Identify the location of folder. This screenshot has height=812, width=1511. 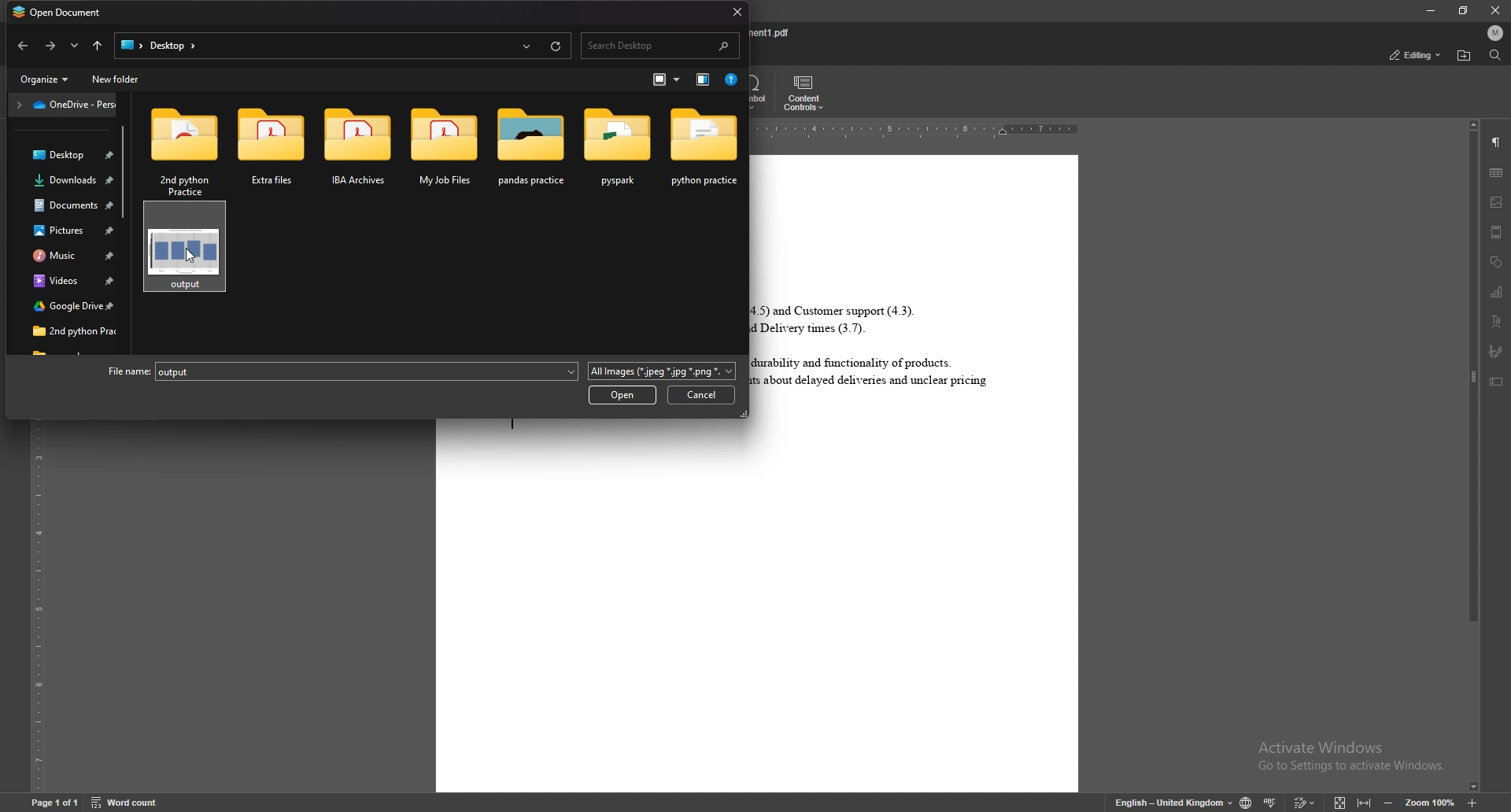
(63, 279).